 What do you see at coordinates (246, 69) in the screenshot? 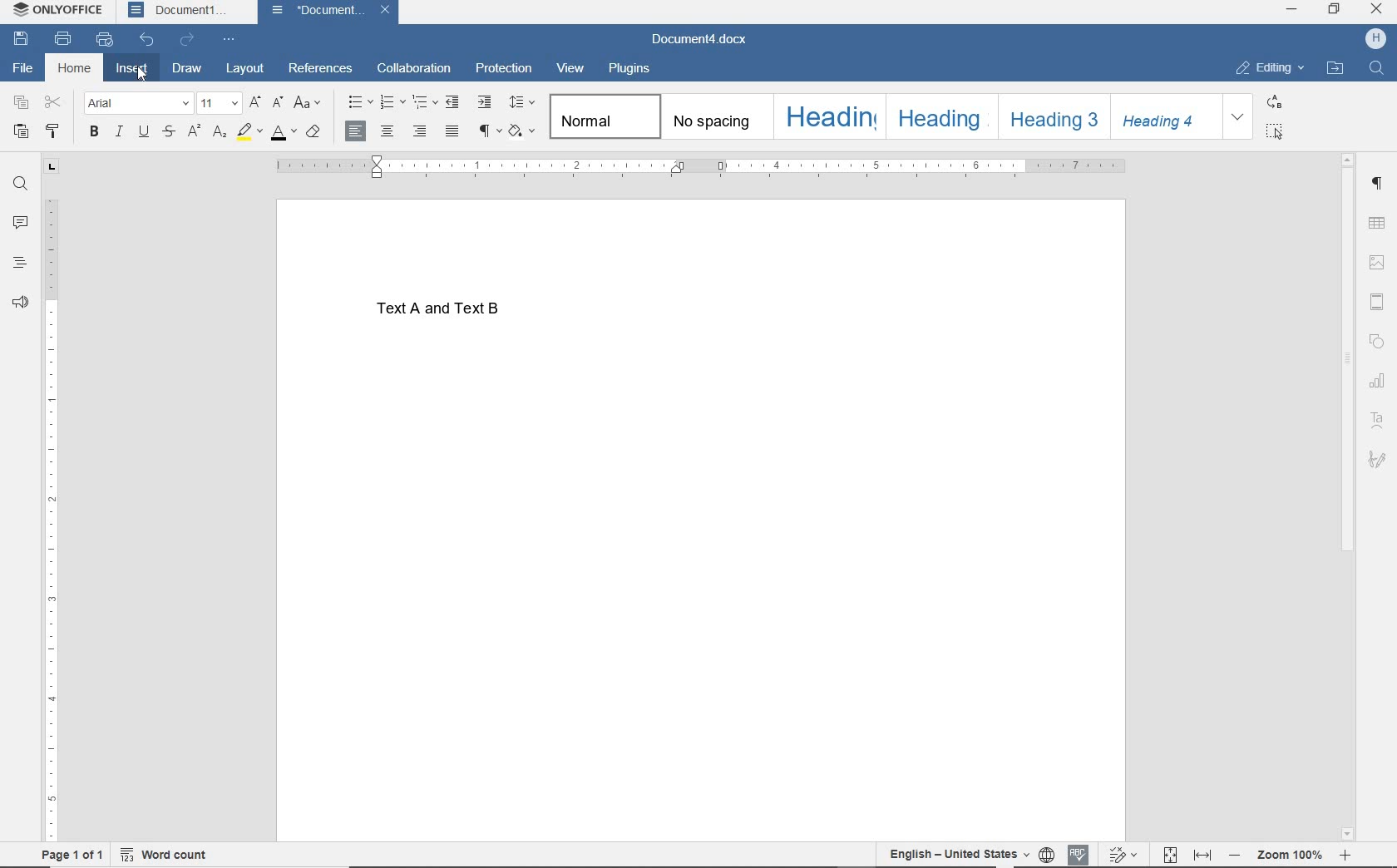
I see `LAYOUT` at bounding box center [246, 69].